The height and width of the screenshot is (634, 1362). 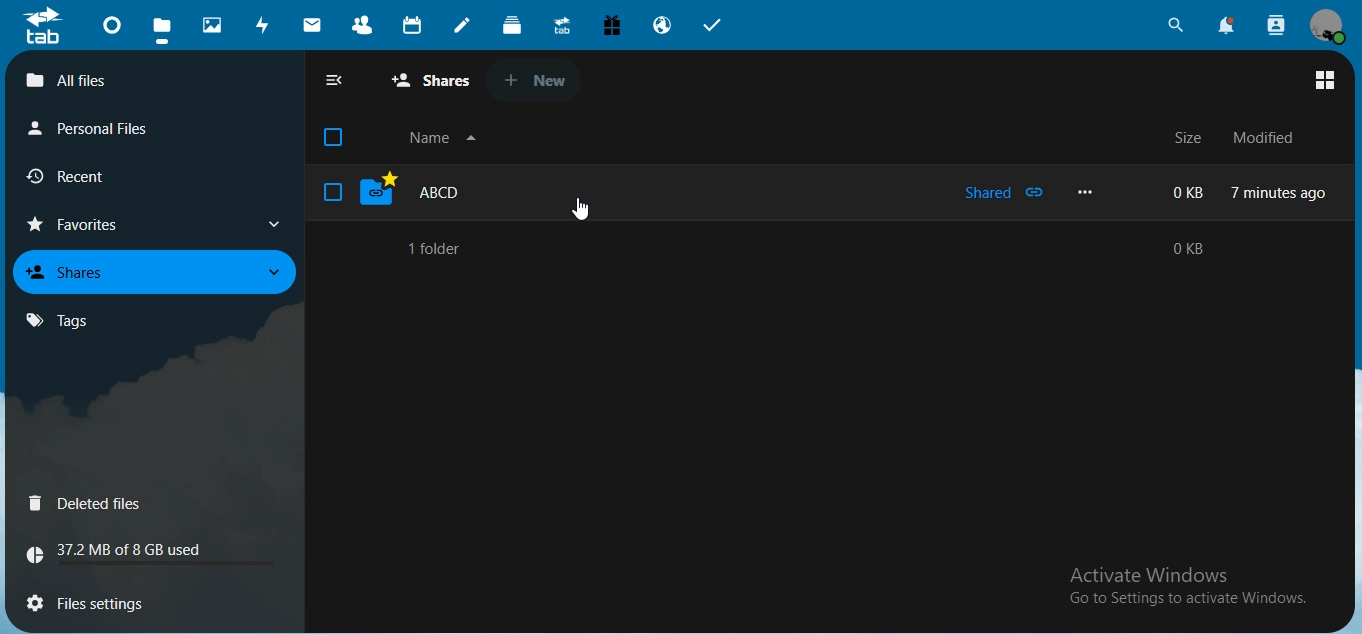 What do you see at coordinates (414, 26) in the screenshot?
I see `calendar` at bounding box center [414, 26].